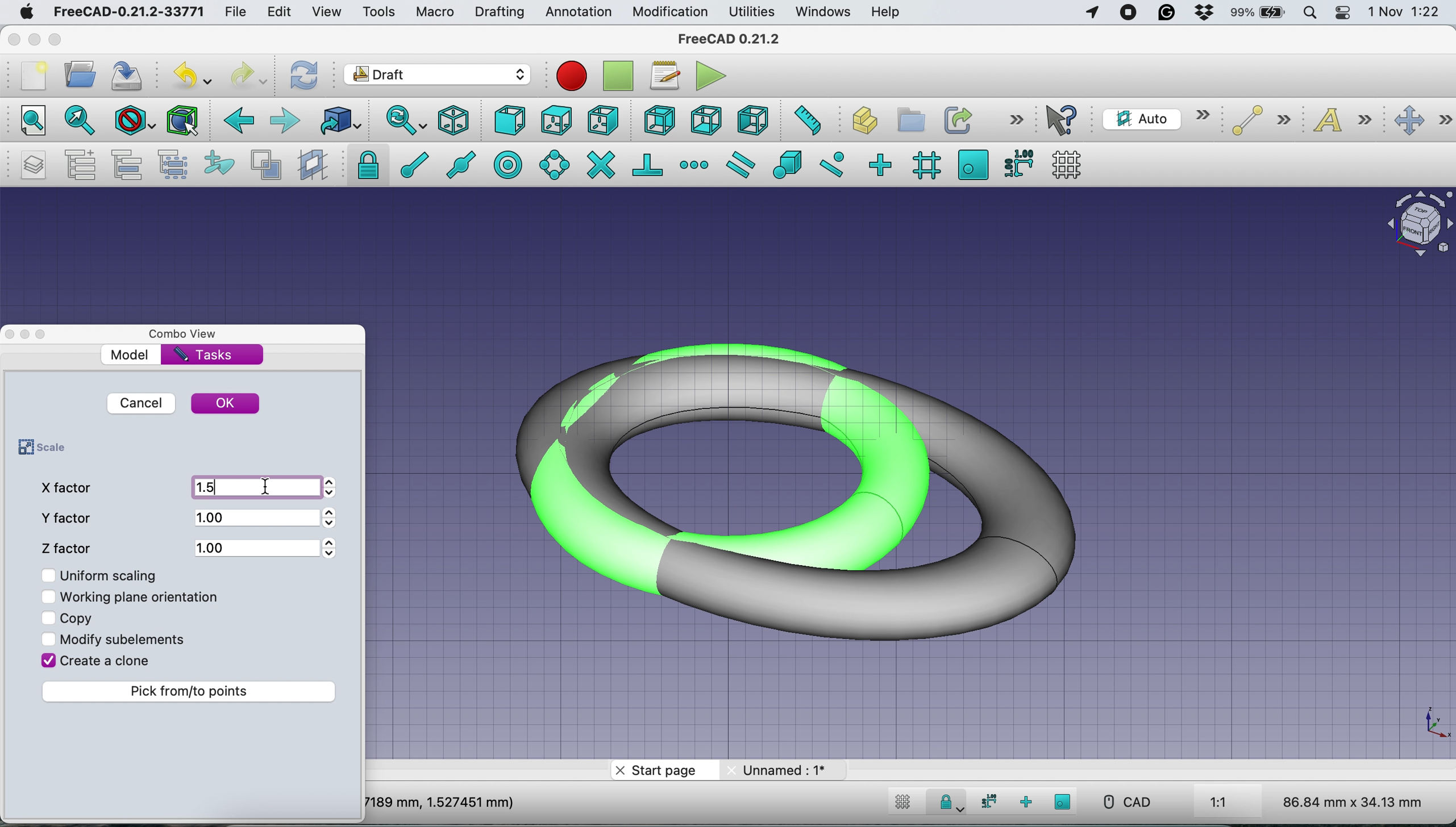  Describe the element at coordinates (788, 165) in the screenshot. I see `snap special` at that location.